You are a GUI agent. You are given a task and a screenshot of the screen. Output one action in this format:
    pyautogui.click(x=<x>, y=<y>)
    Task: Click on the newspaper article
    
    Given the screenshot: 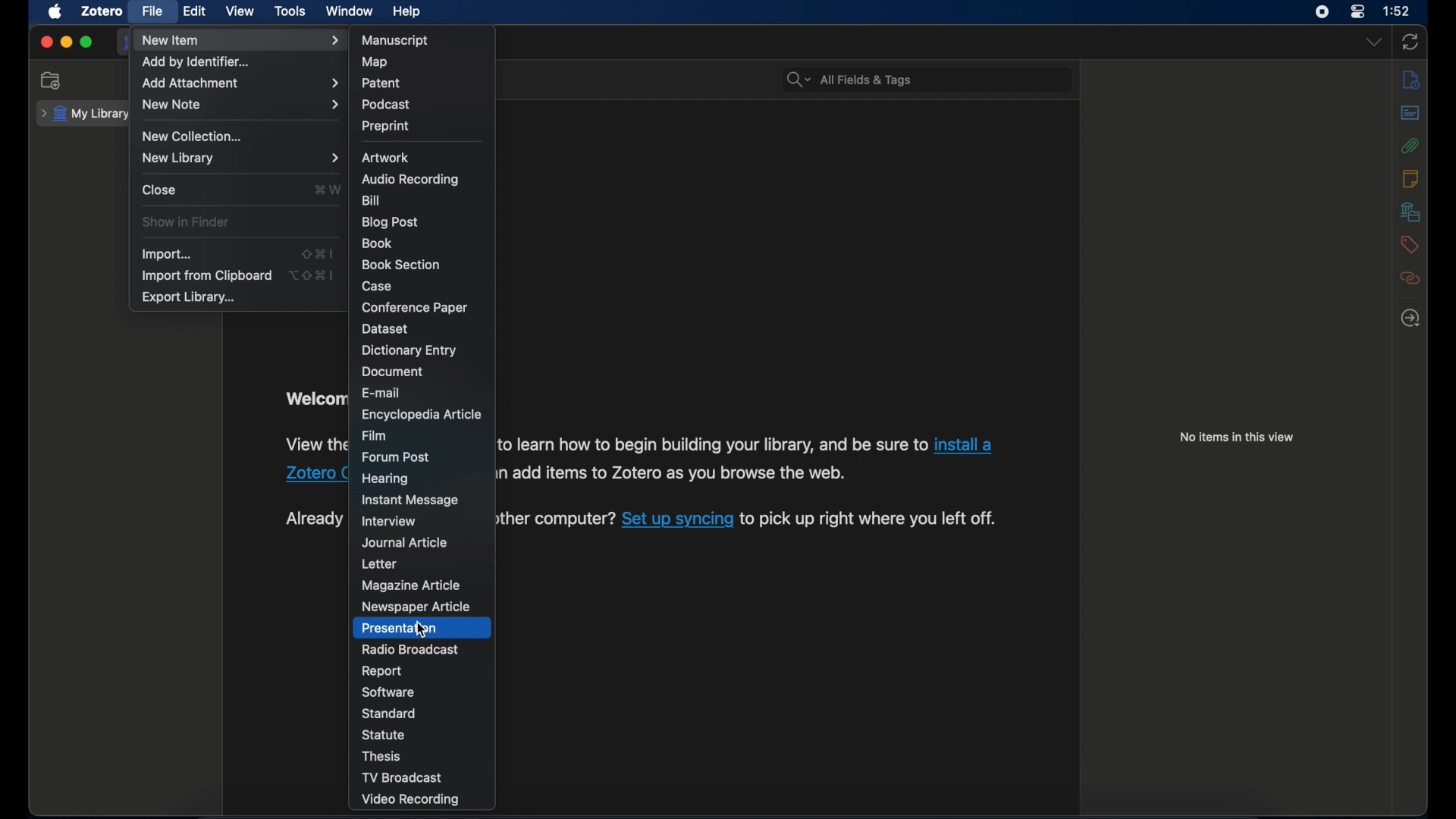 What is the action you would take?
    pyautogui.click(x=415, y=607)
    